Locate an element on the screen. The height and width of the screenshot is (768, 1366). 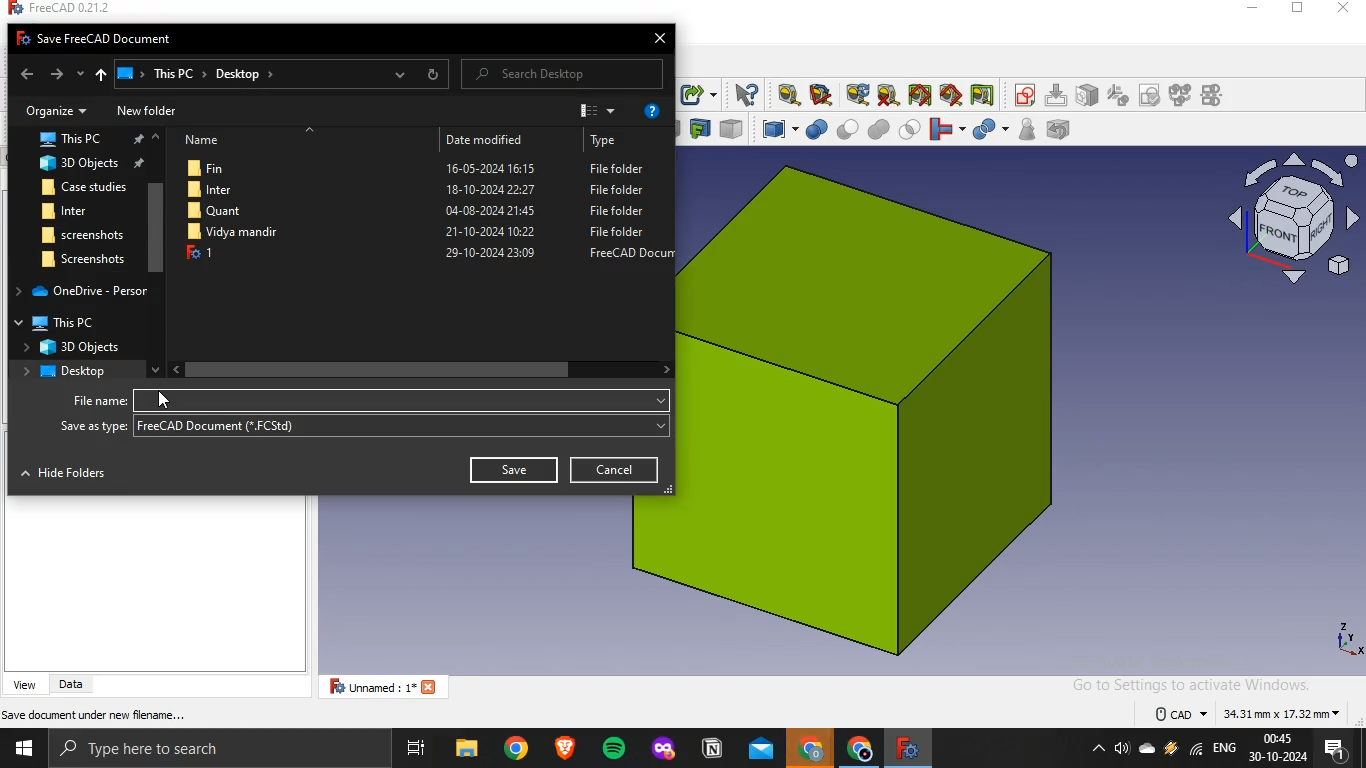
up to  is located at coordinates (101, 75).